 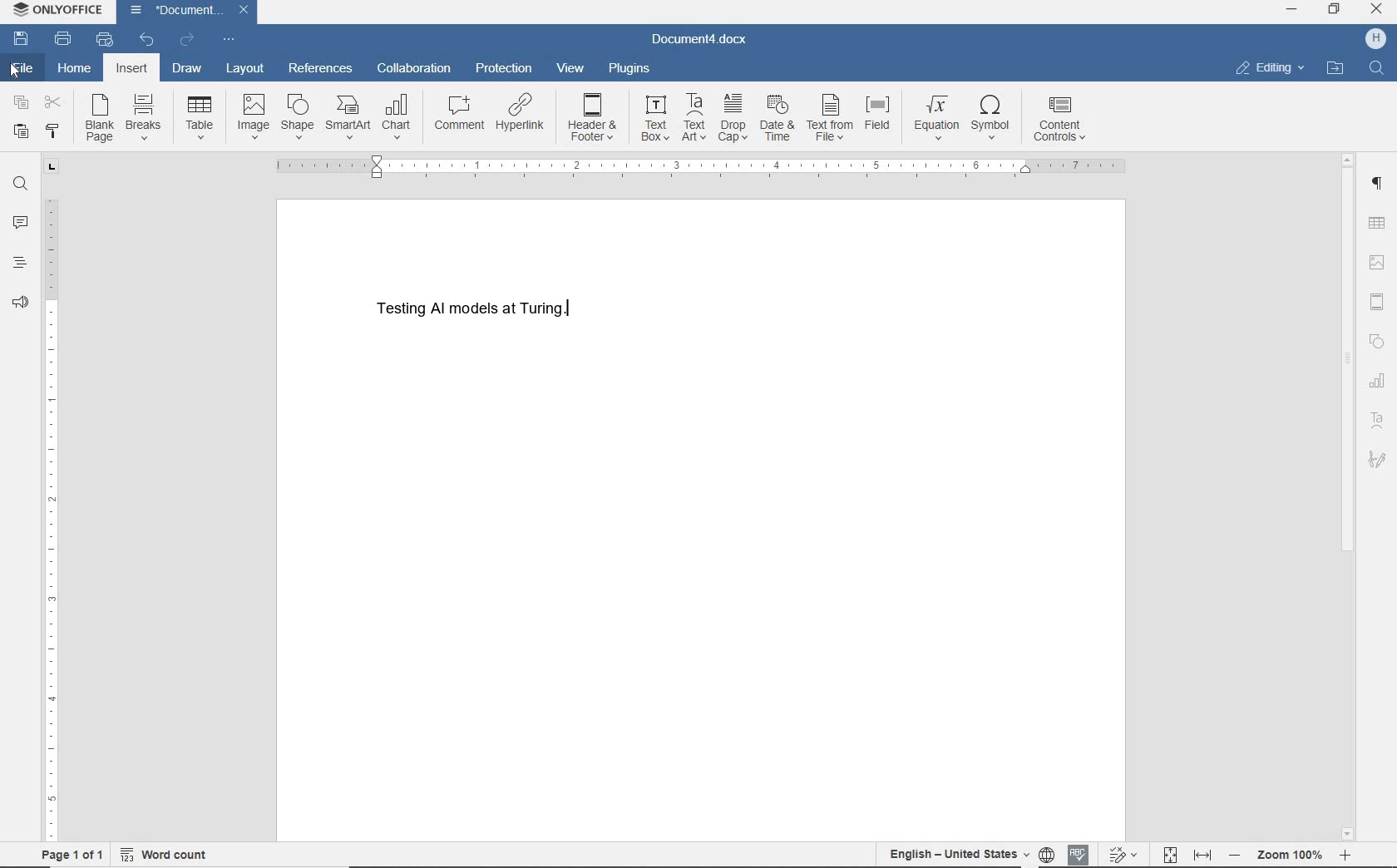 I want to click on insert, so click(x=132, y=69).